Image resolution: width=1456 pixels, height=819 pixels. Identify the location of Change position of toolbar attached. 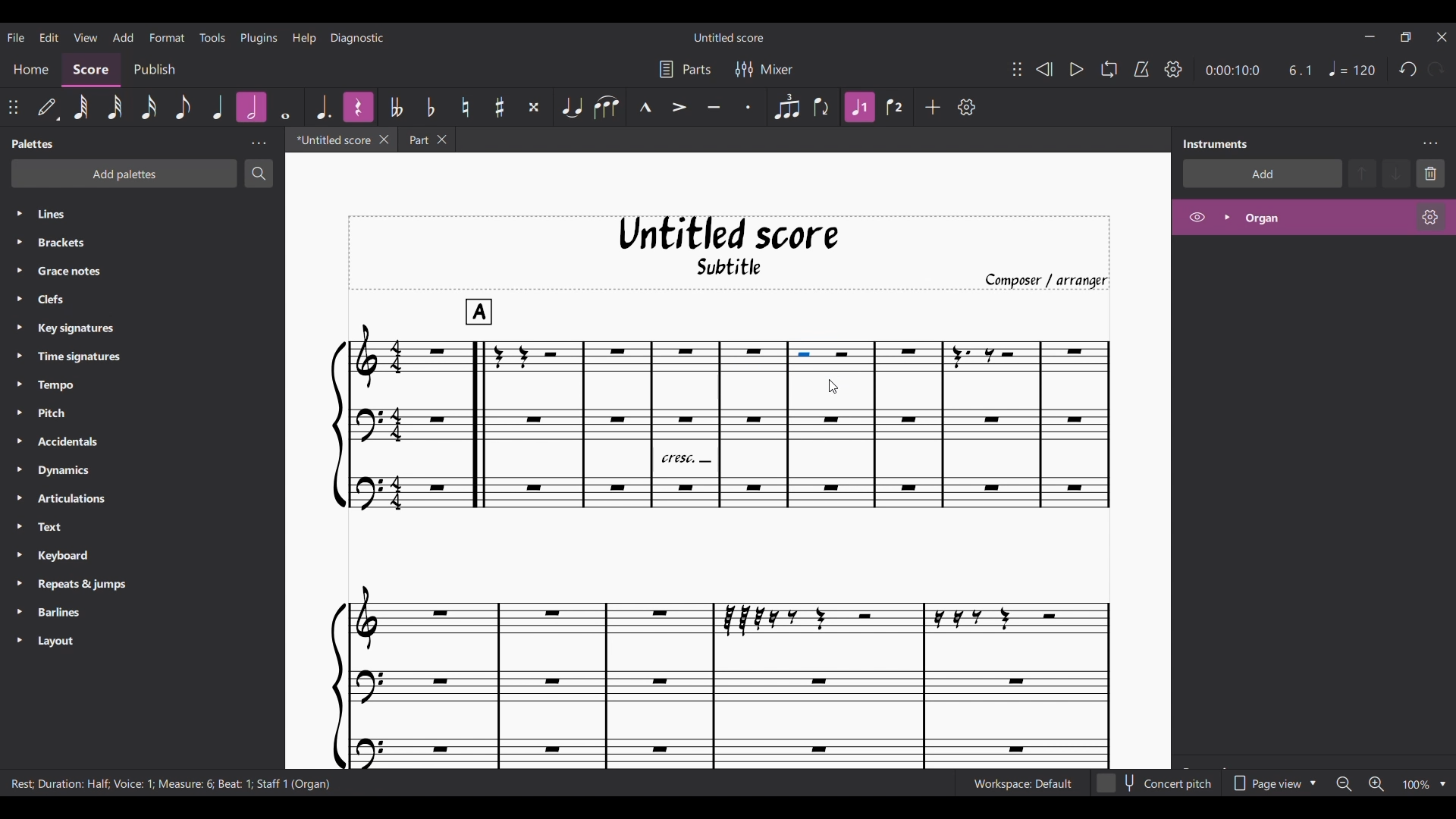
(1018, 69).